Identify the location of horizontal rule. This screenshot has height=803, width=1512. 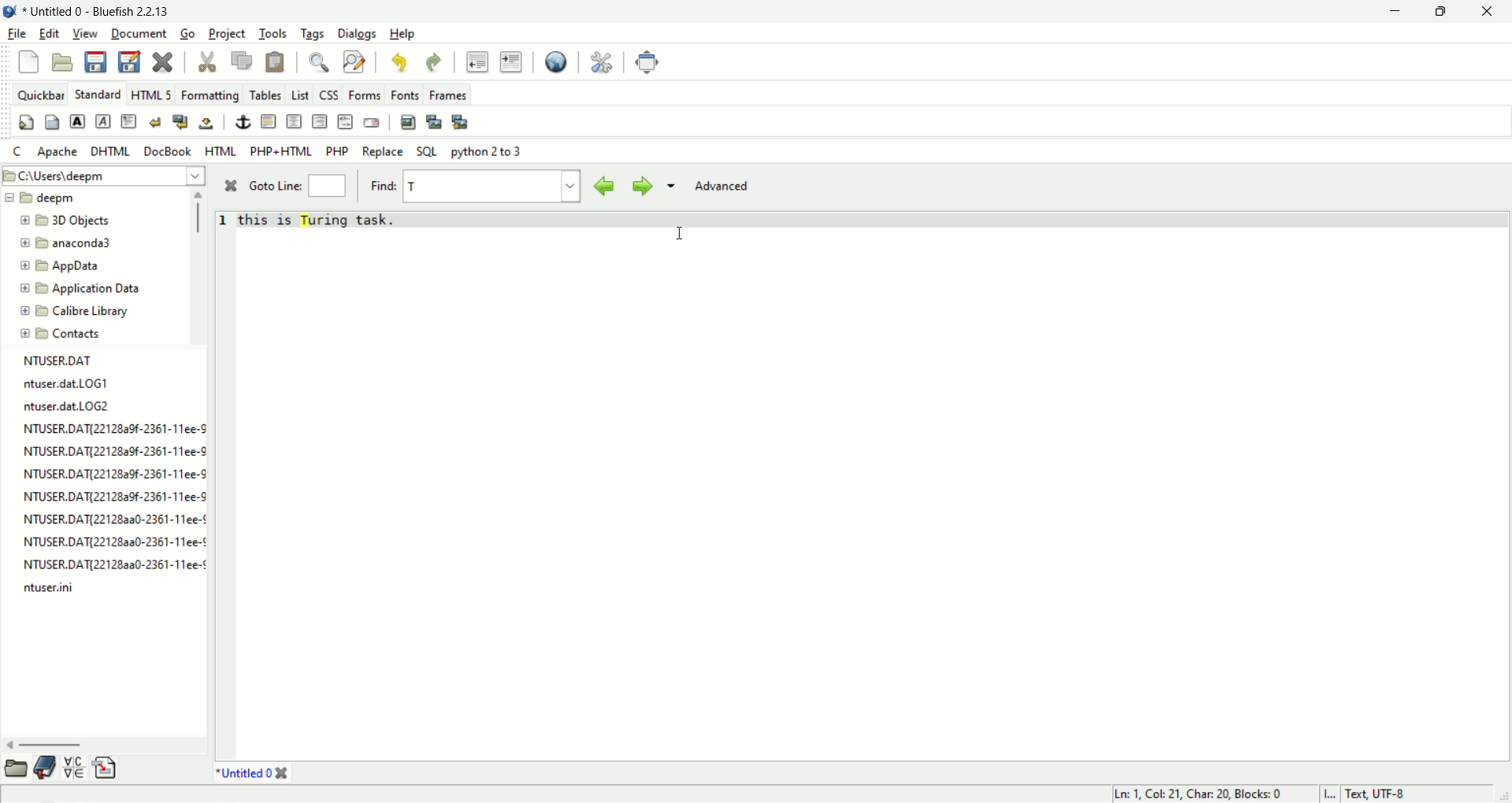
(268, 121).